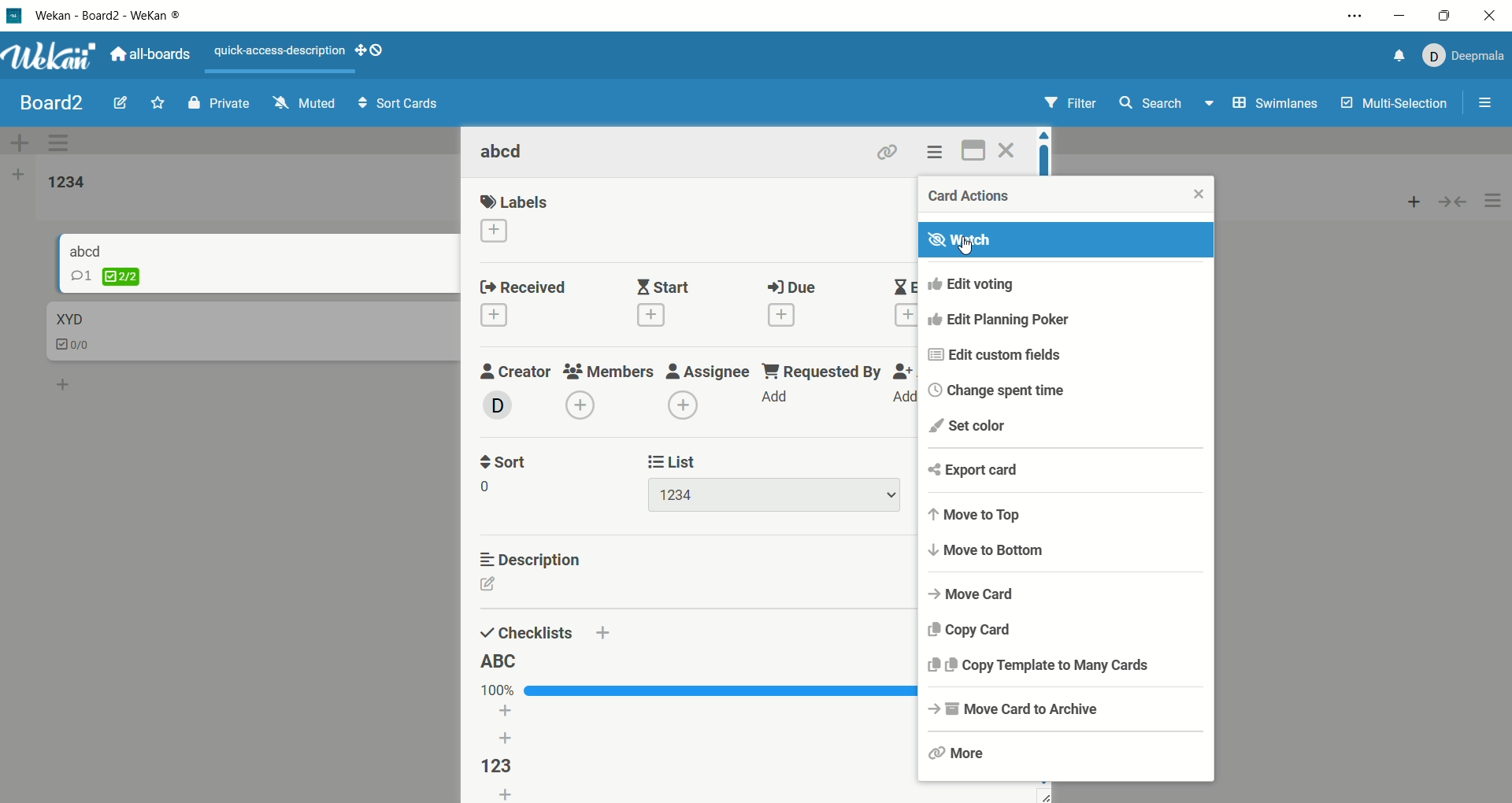 The width and height of the screenshot is (1512, 803). What do you see at coordinates (1064, 240) in the screenshot?
I see `selecting watch` at bounding box center [1064, 240].